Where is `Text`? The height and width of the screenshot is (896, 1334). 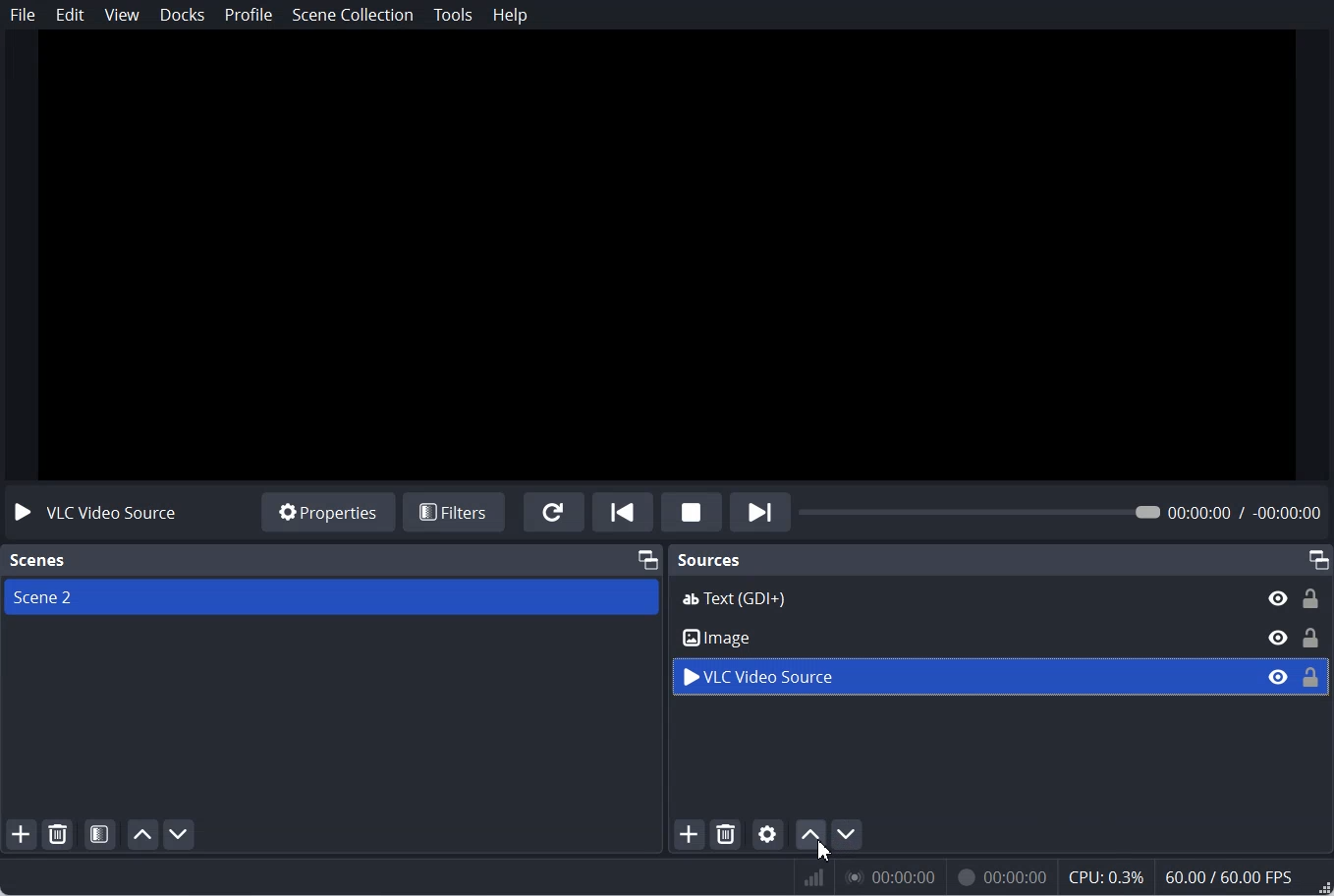 Text is located at coordinates (710, 561).